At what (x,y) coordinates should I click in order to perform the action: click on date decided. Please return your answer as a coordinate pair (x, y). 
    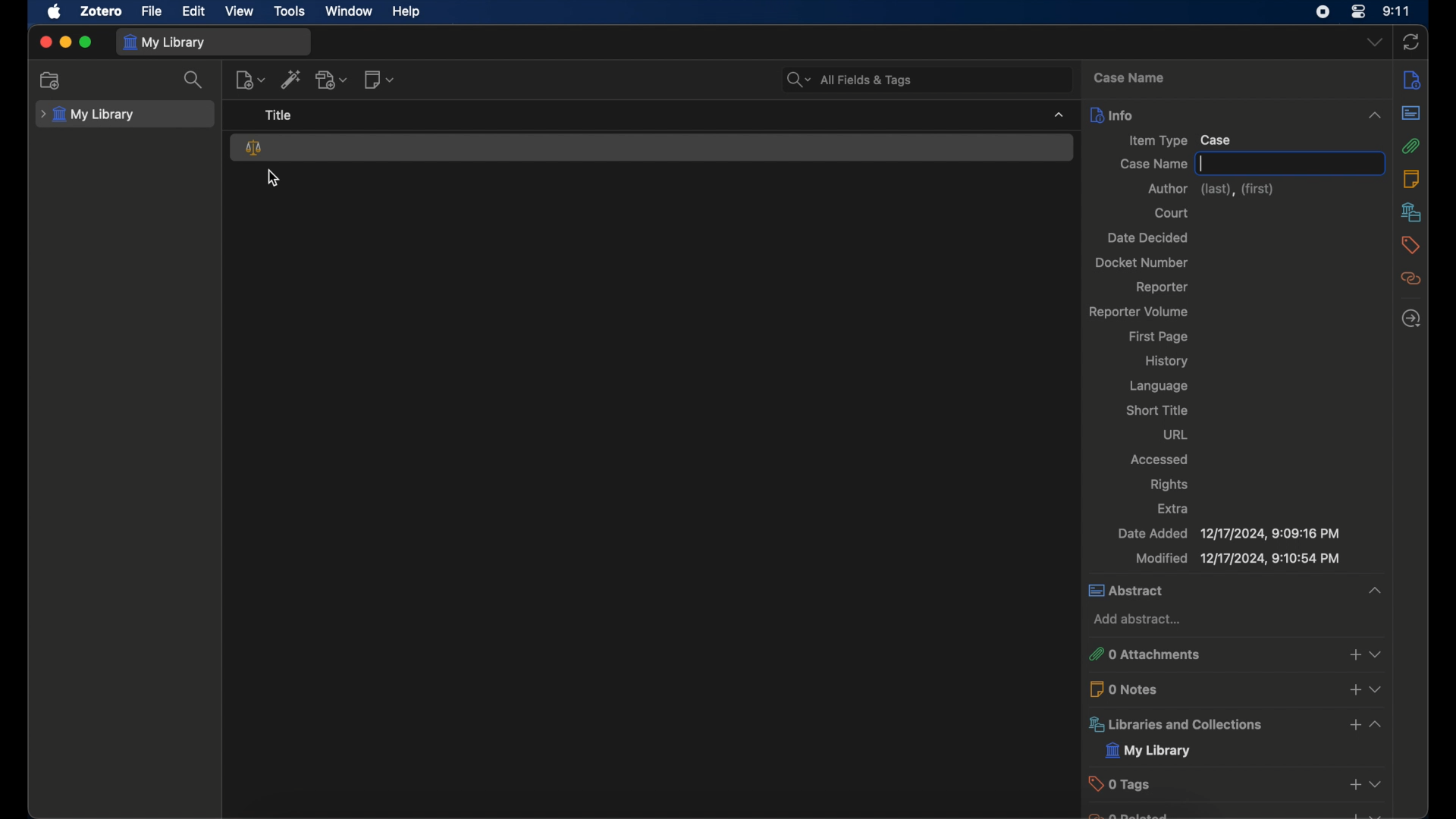
    Looking at the image, I should click on (1150, 238).